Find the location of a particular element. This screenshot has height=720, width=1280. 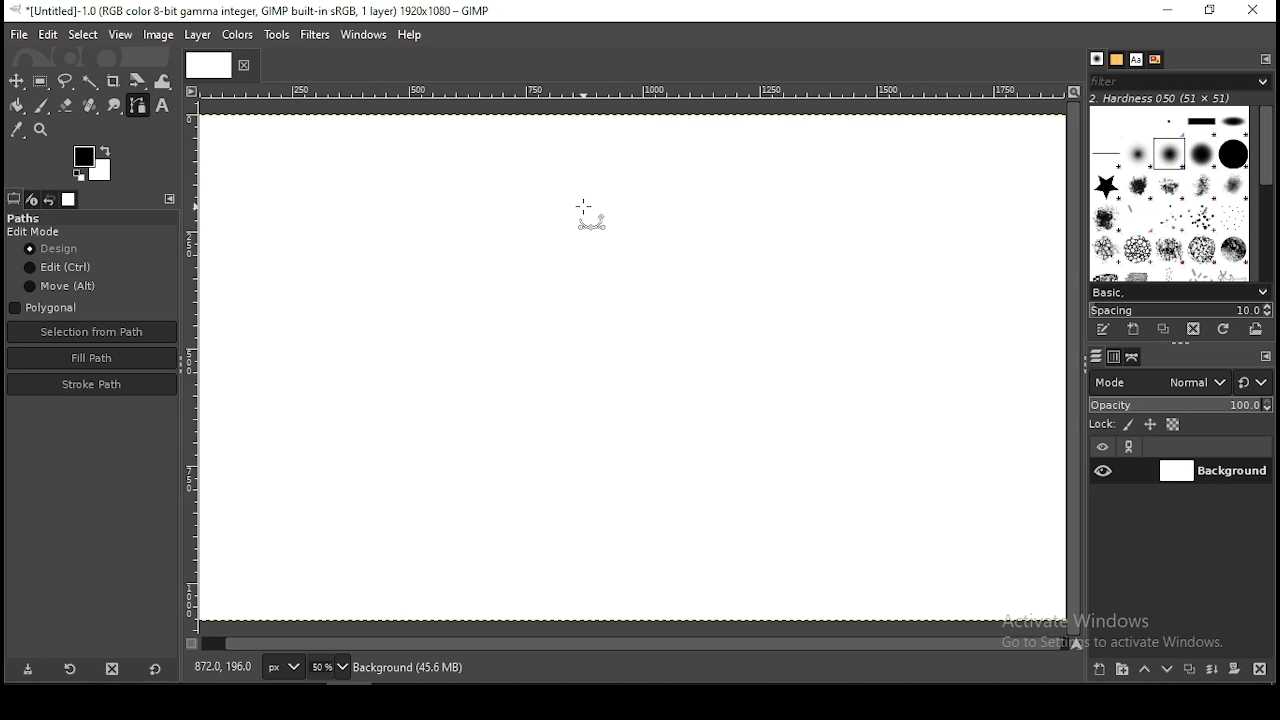

channel is located at coordinates (1113, 356).